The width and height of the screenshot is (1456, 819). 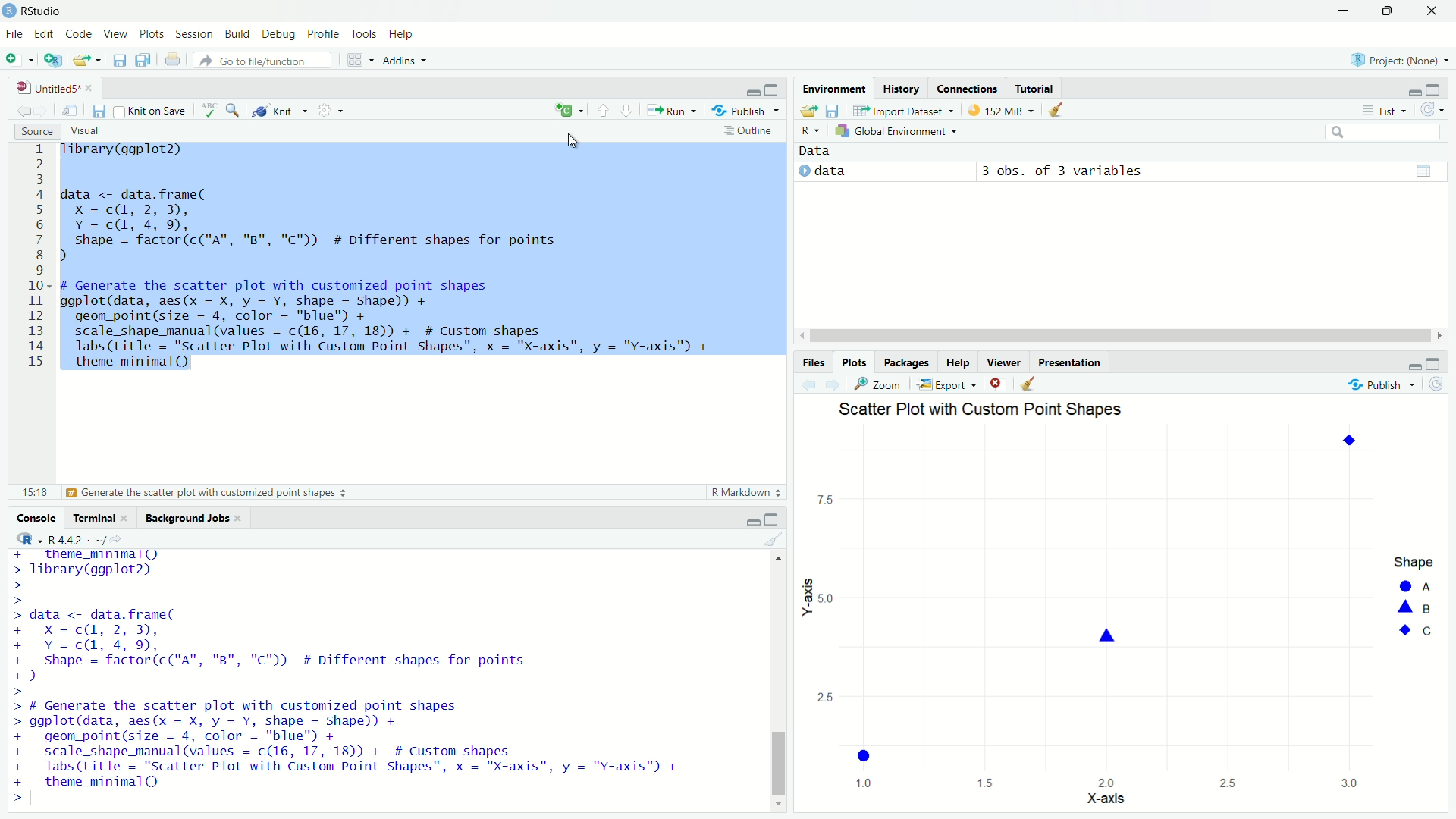 I want to click on Zoom, so click(x=877, y=384).